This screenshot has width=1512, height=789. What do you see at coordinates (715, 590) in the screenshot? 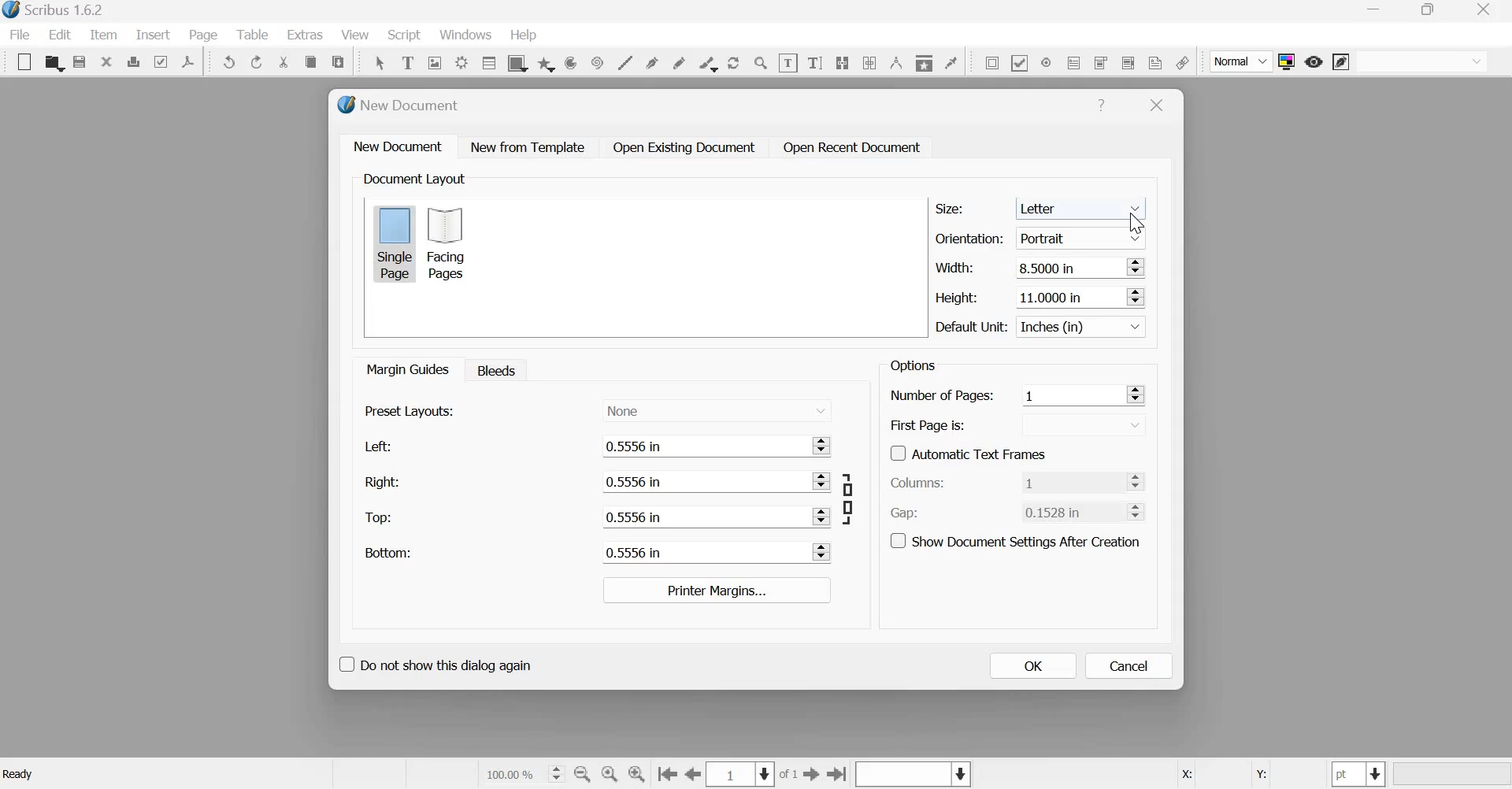
I see `Printer margins` at bounding box center [715, 590].